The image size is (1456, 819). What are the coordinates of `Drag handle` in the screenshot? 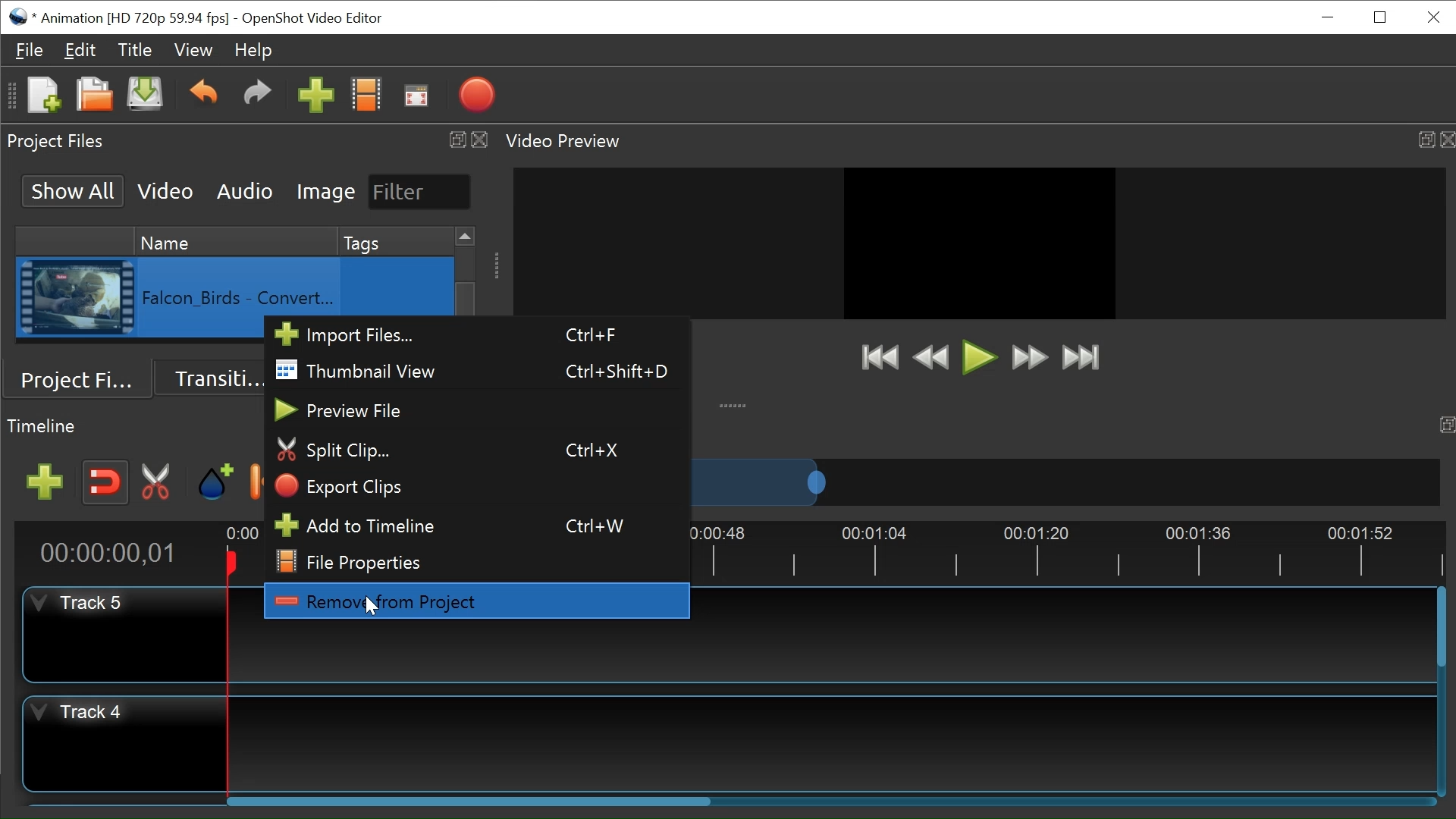 It's located at (497, 265).